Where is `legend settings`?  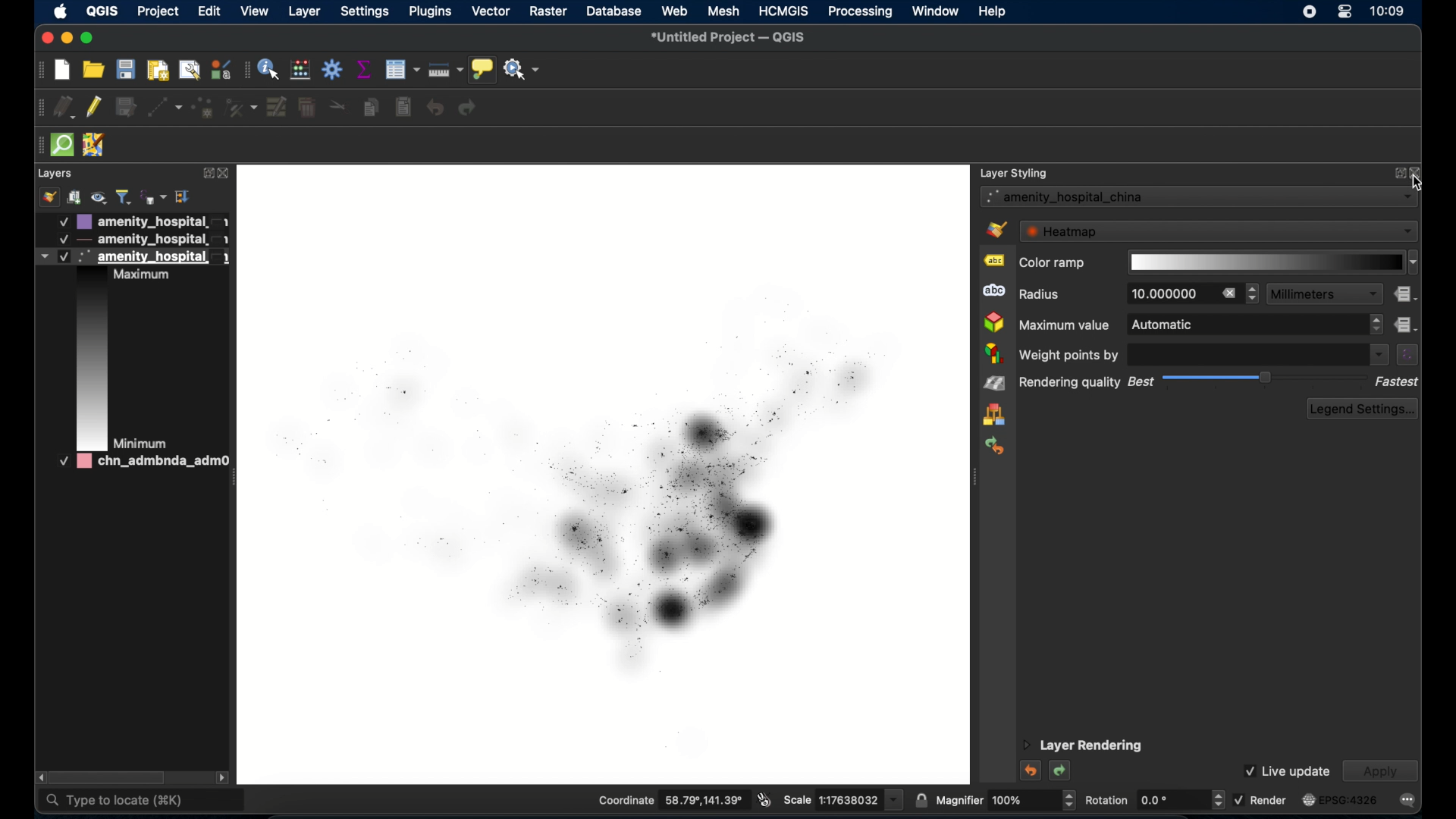 legend settings is located at coordinates (1361, 409).